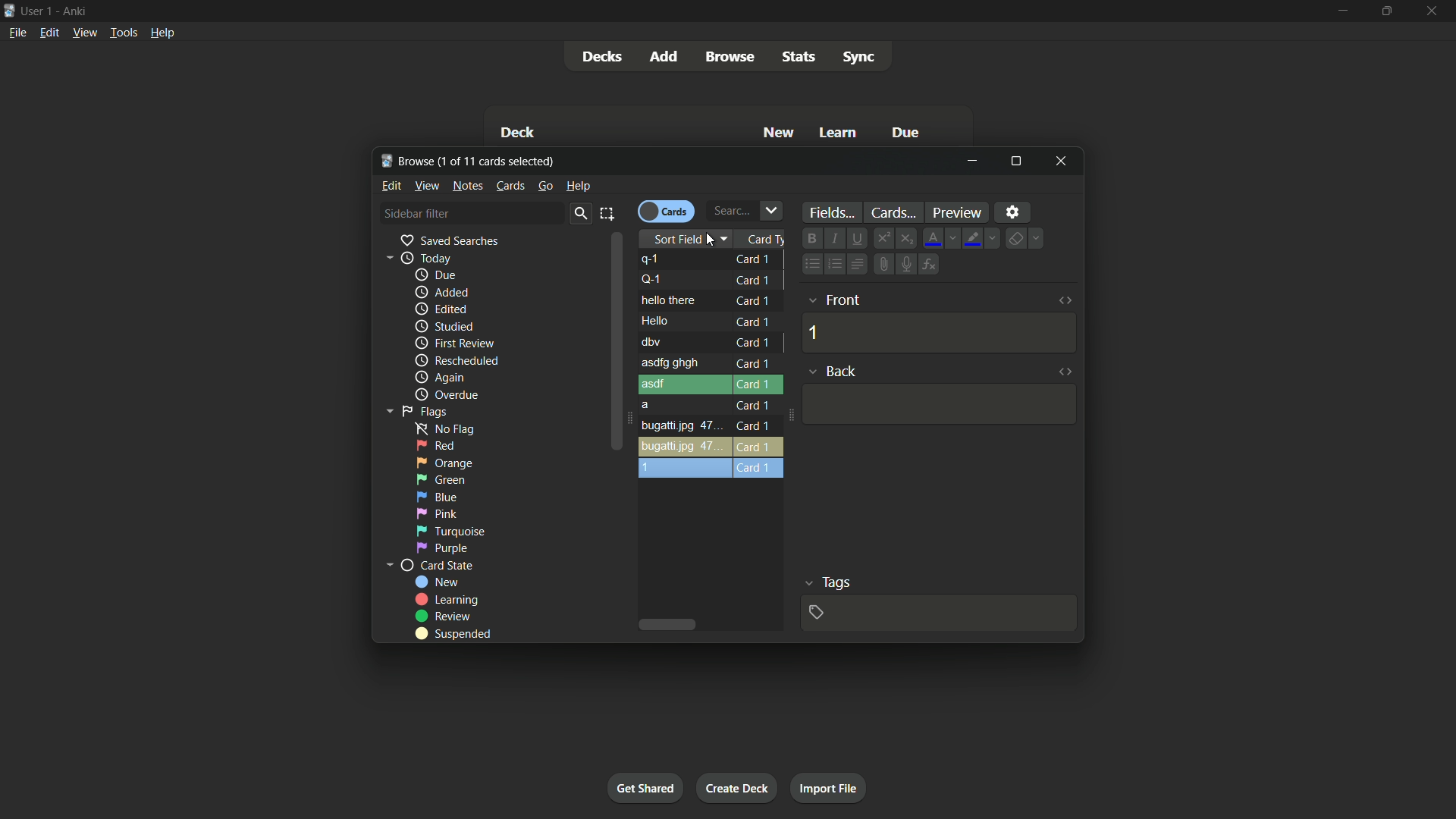 This screenshot has width=1456, height=819. I want to click on blue, so click(436, 497).